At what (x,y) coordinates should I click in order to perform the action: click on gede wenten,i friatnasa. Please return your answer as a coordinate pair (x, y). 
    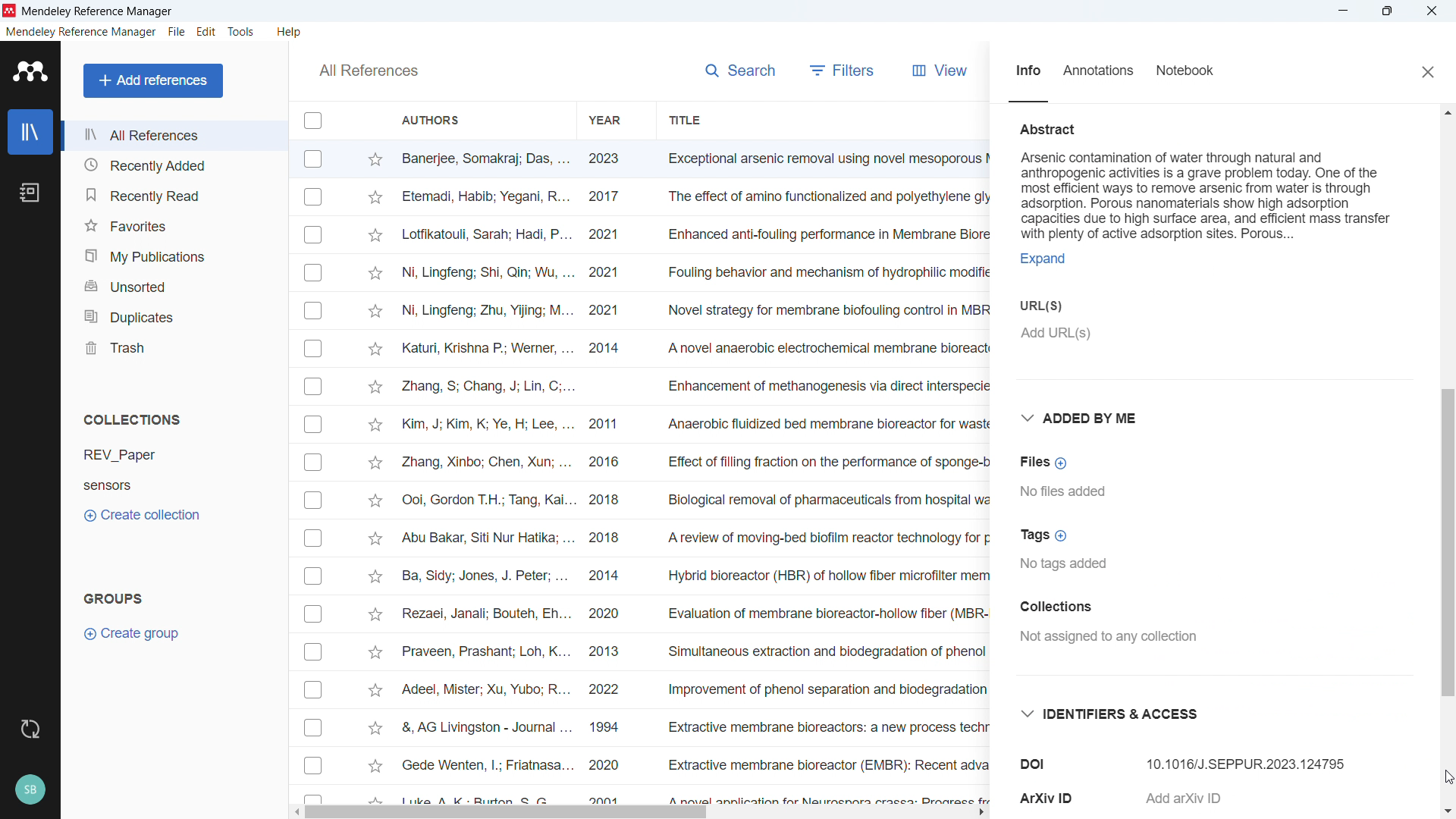
    Looking at the image, I should click on (480, 761).